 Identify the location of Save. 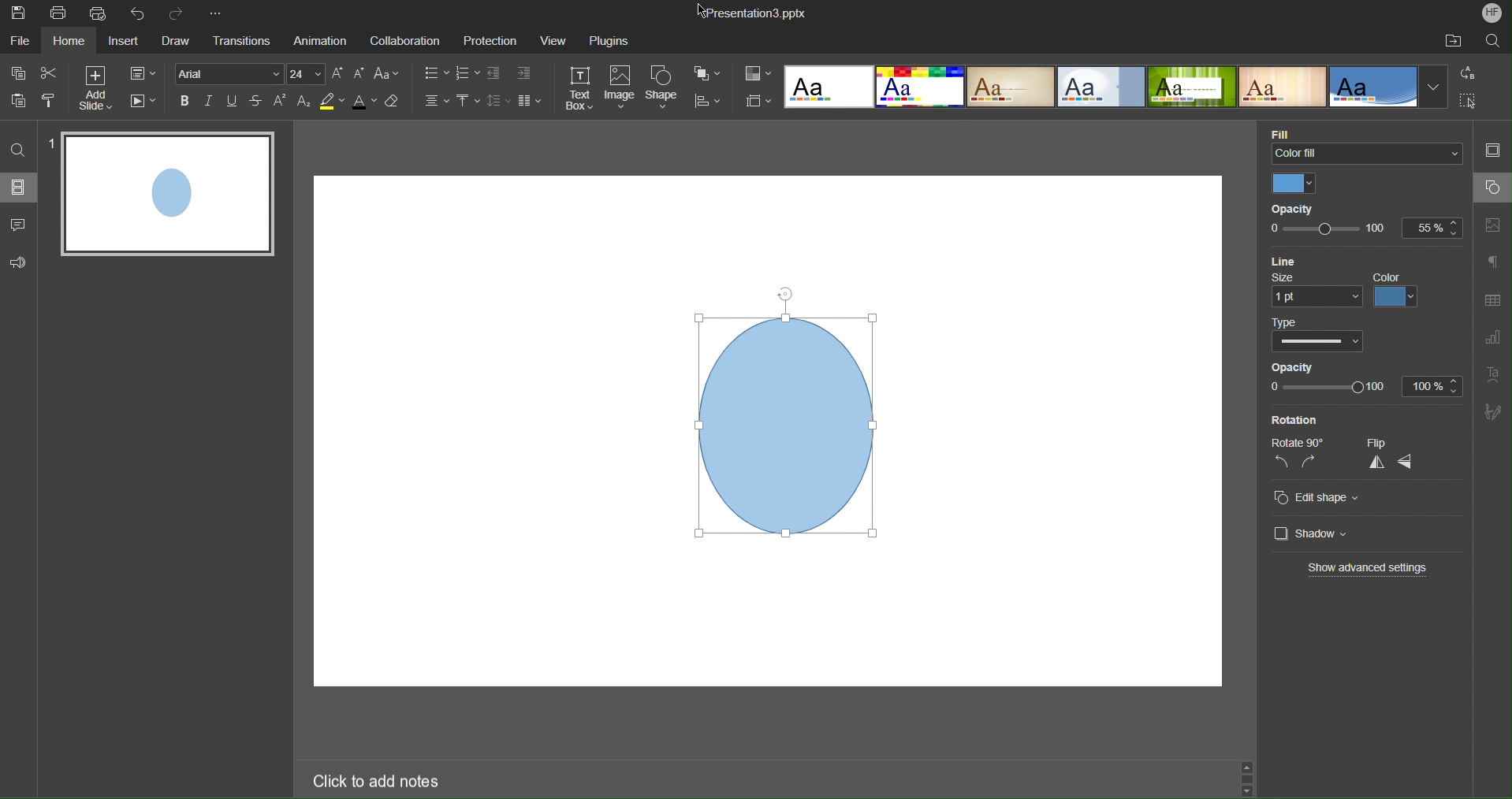
(20, 15).